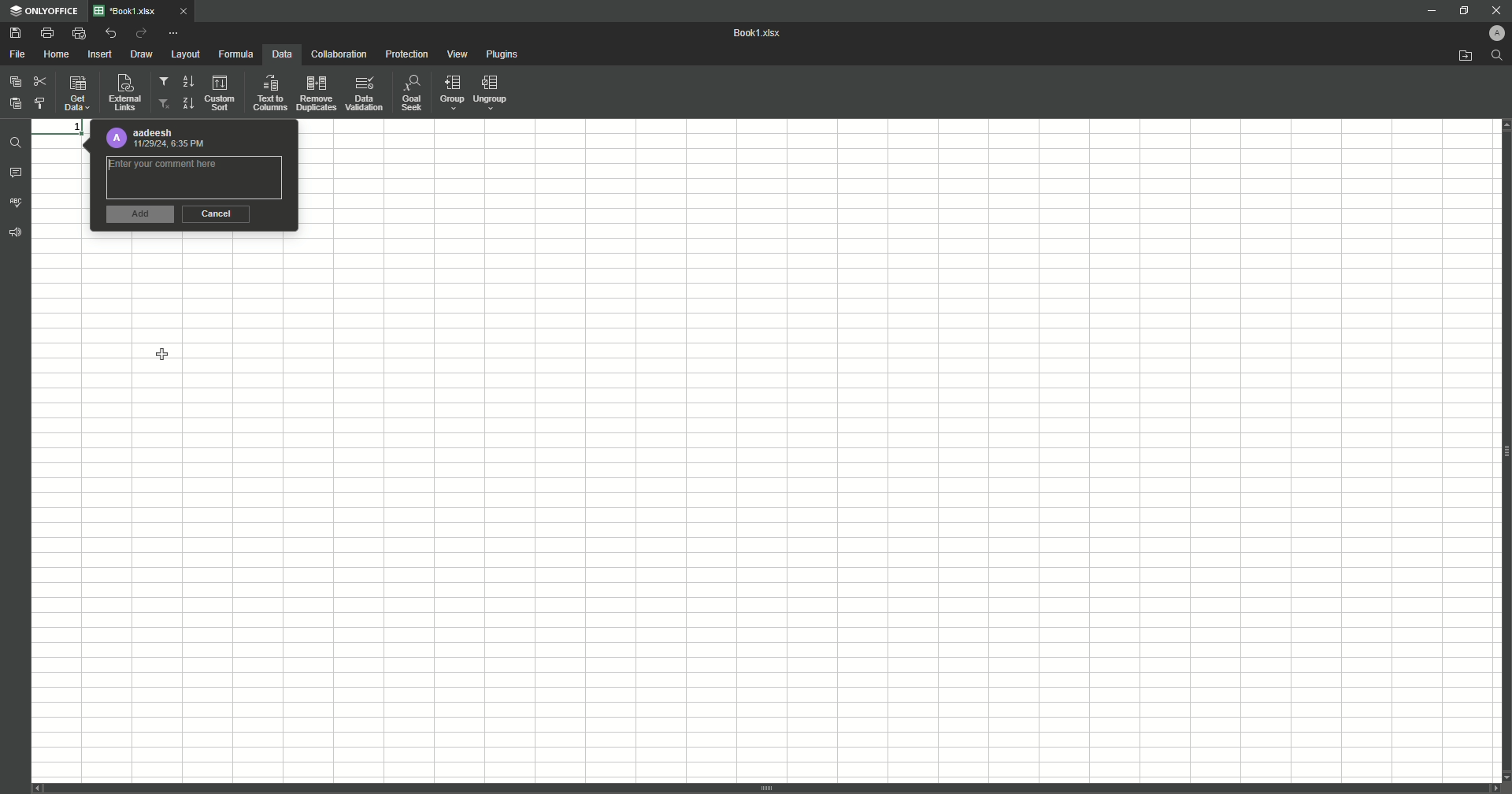 The image size is (1512, 794). What do you see at coordinates (1497, 55) in the screenshot?
I see `Find` at bounding box center [1497, 55].